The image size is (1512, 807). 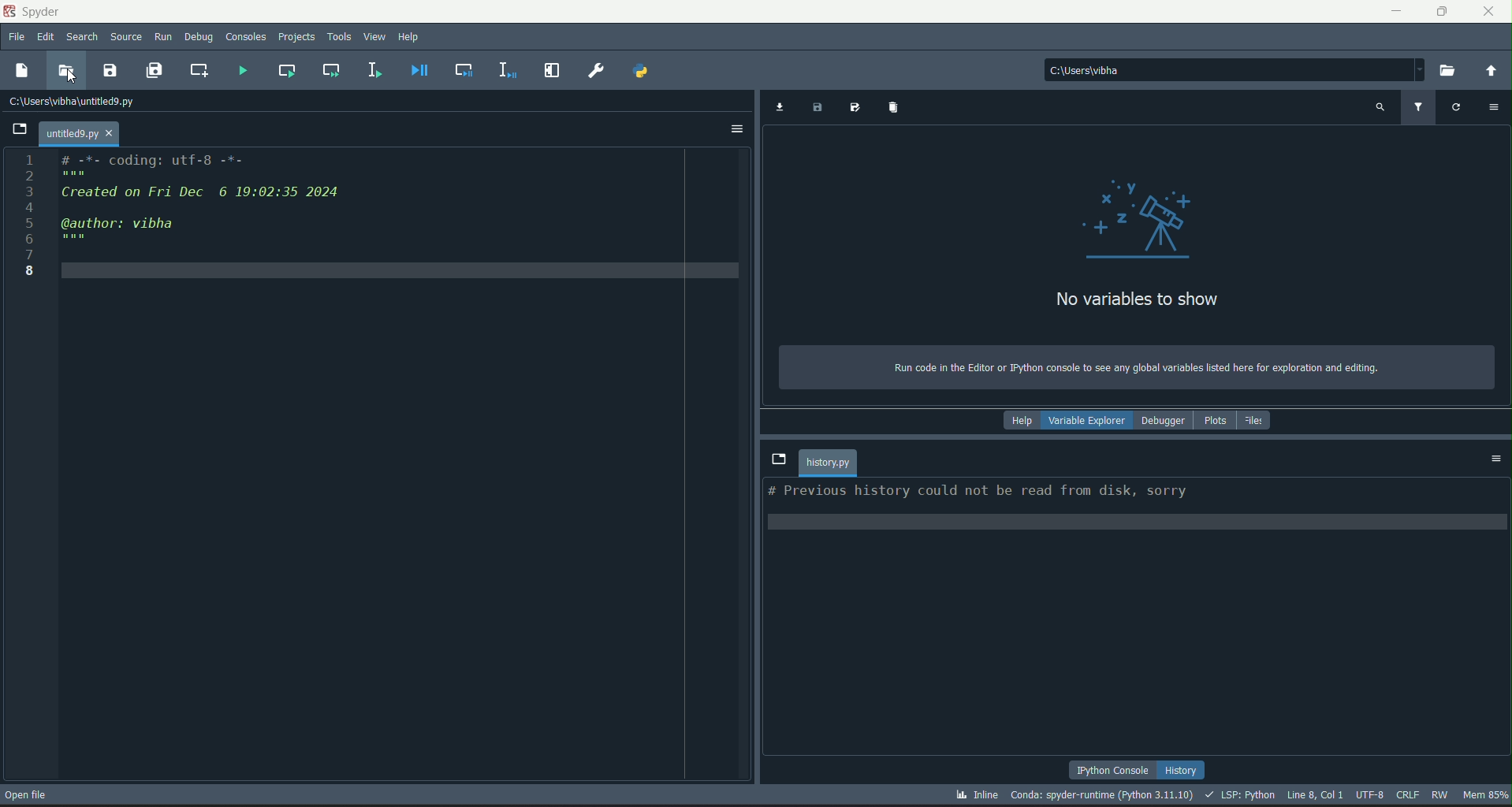 What do you see at coordinates (1086, 421) in the screenshot?
I see `variable explorer` at bounding box center [1086, 421].